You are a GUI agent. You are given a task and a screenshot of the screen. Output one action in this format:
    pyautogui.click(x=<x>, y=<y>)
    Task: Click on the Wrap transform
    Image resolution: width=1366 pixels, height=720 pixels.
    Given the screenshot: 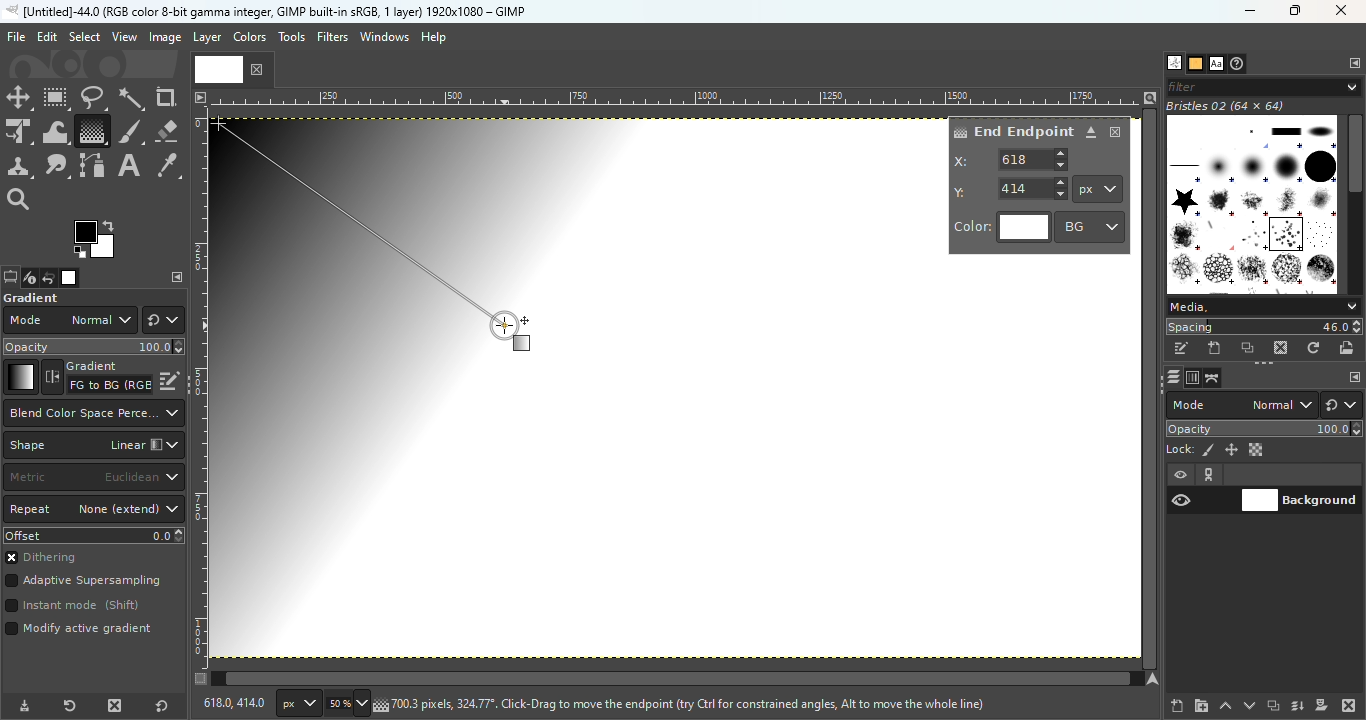 What is the action you would take?
    pyautogui.click(x=53, y=131)
    